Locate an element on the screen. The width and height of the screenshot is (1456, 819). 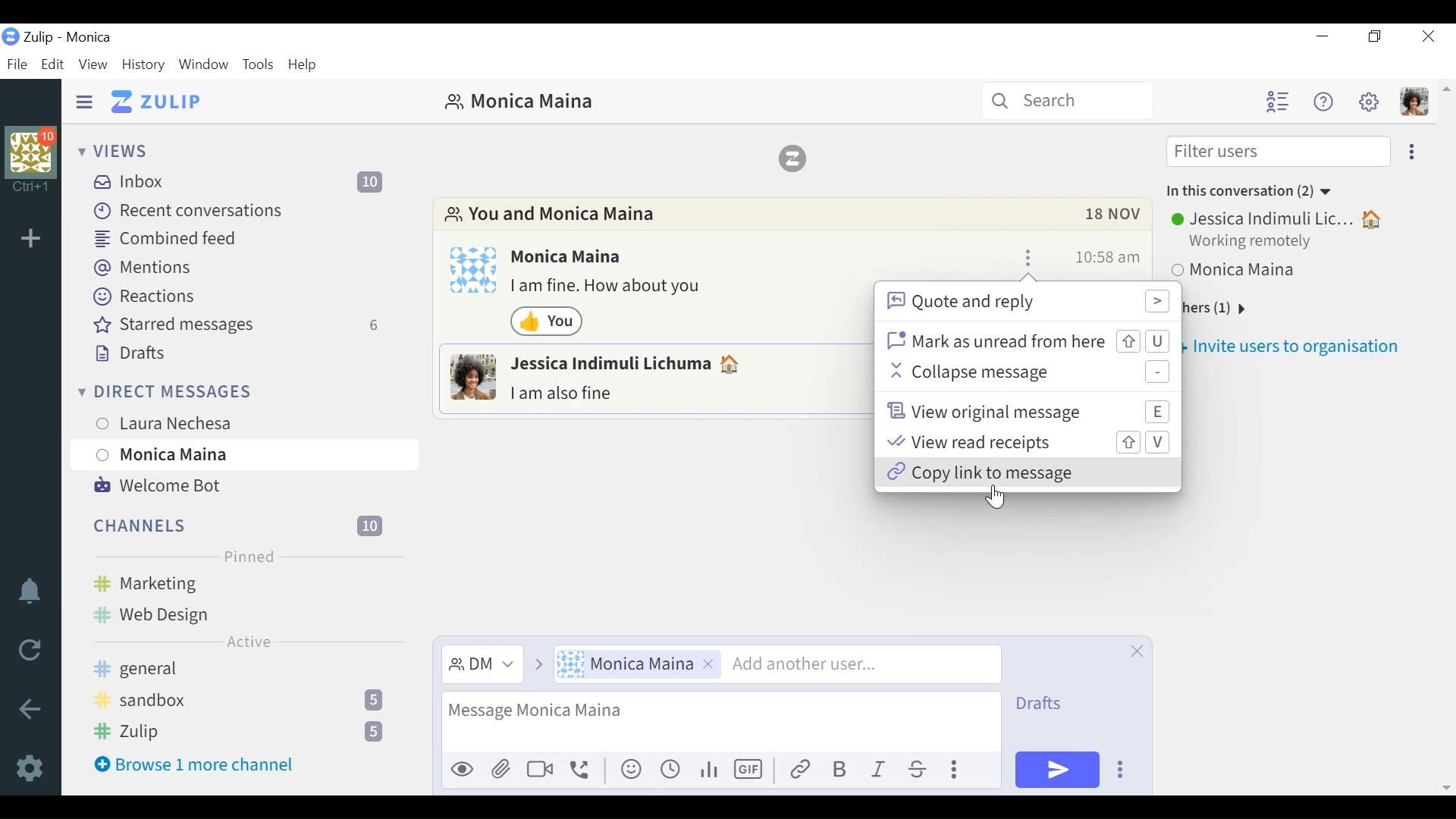
Others (1) is located at coordinates (1231, 309).